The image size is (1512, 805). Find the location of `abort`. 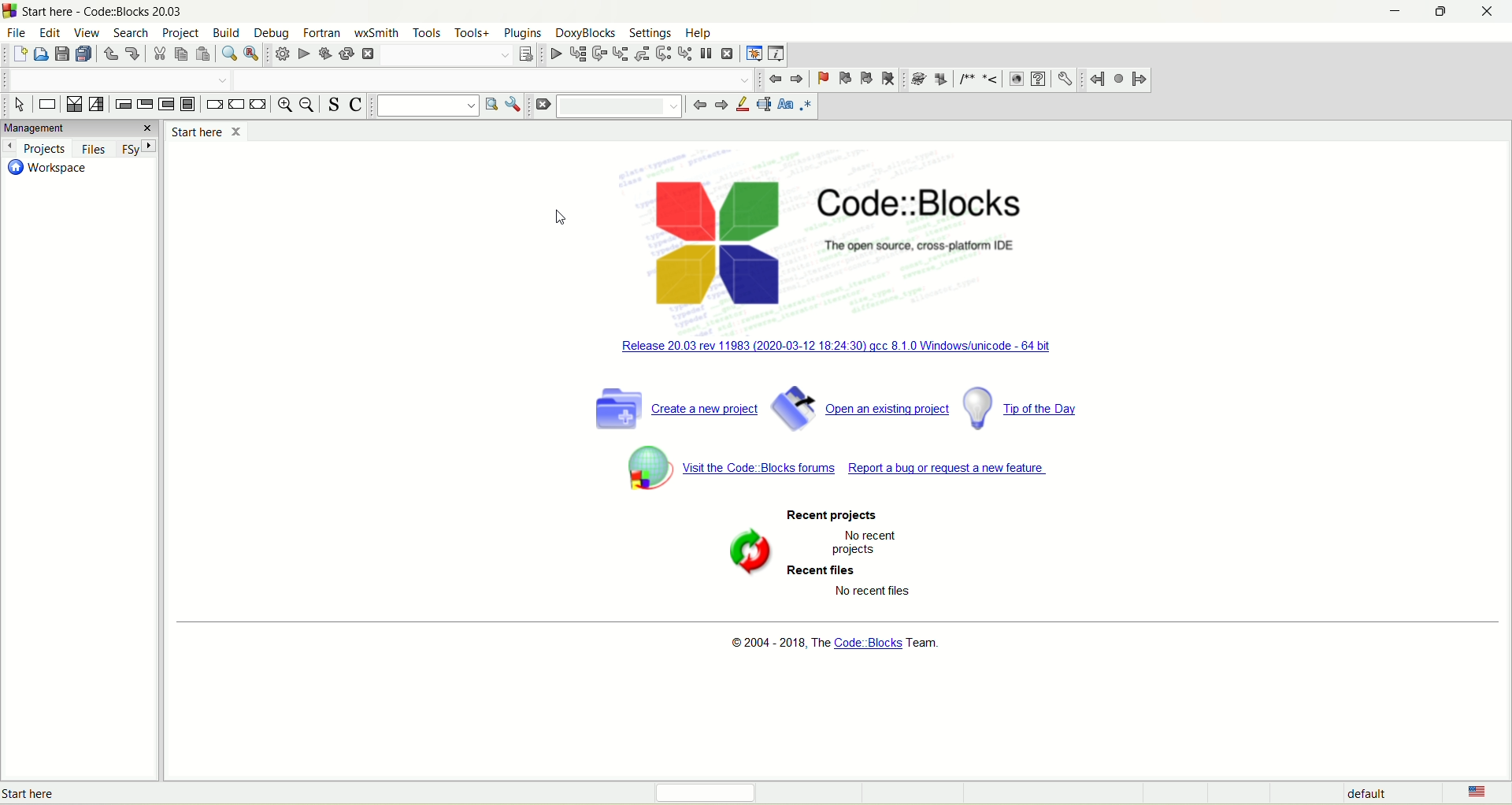

abort is located at coordinates (367, 55).